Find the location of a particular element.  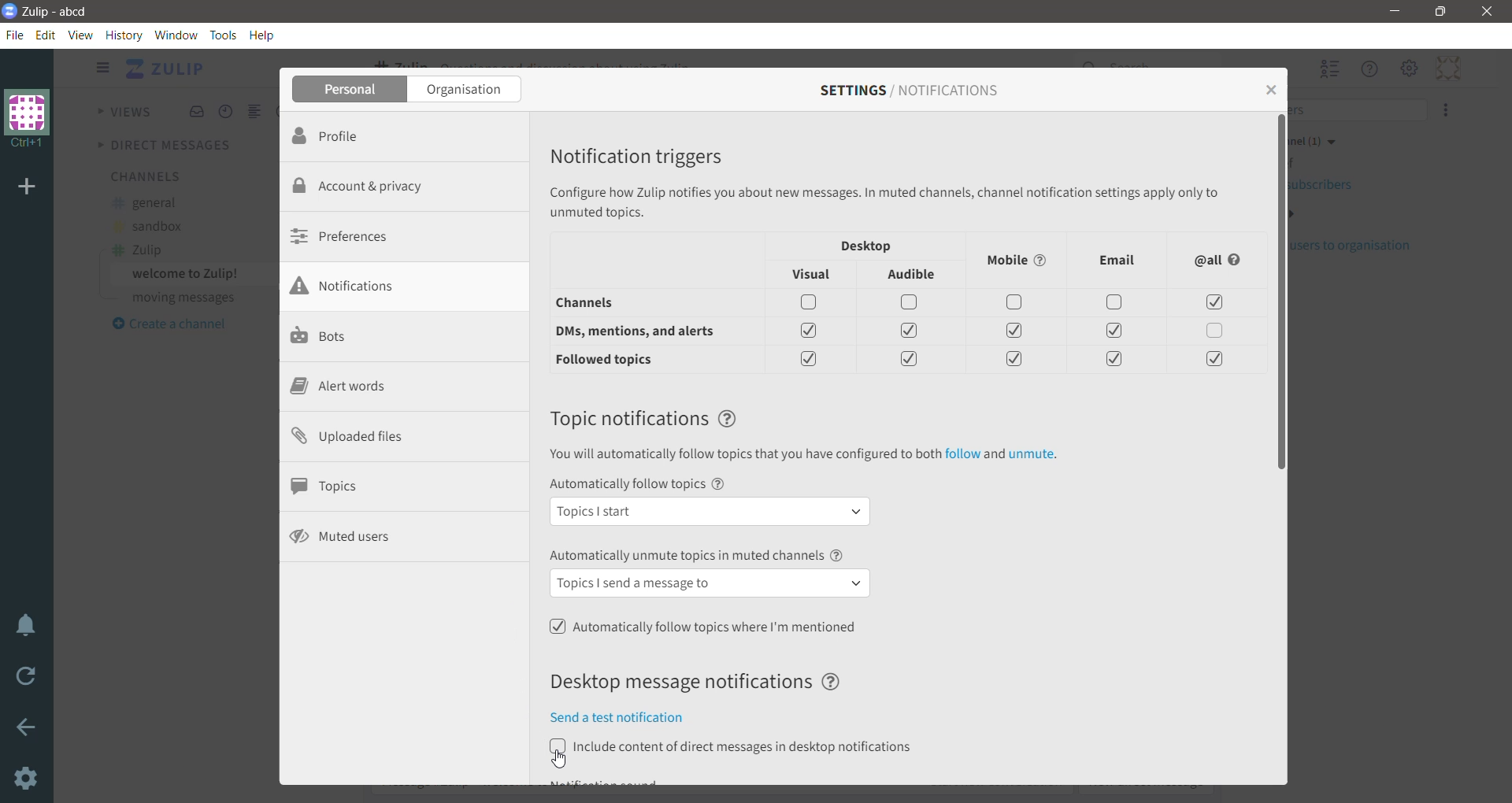

Minimize is located at coordinates (1393, 12).